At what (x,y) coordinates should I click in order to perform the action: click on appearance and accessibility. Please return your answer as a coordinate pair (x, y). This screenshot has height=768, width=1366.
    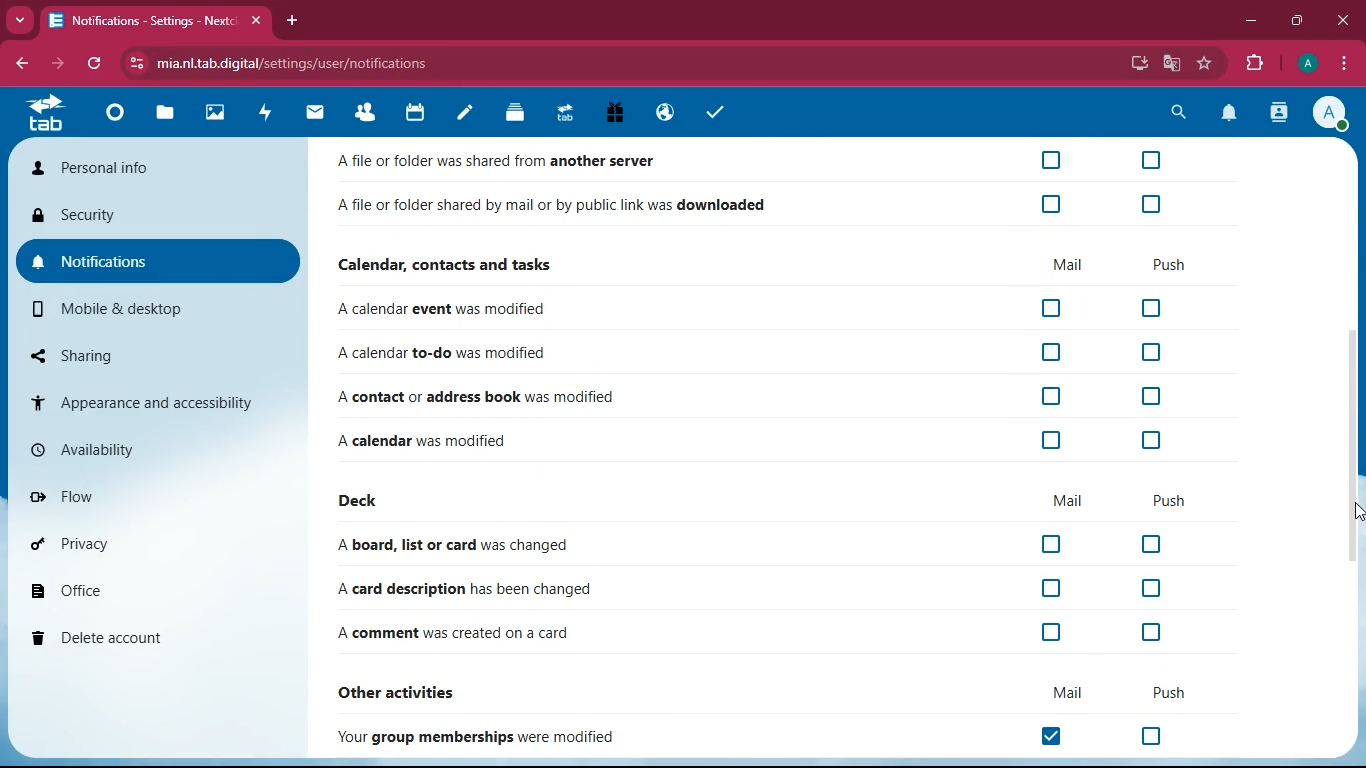
    Looking at the image, I should click on (157, 401).